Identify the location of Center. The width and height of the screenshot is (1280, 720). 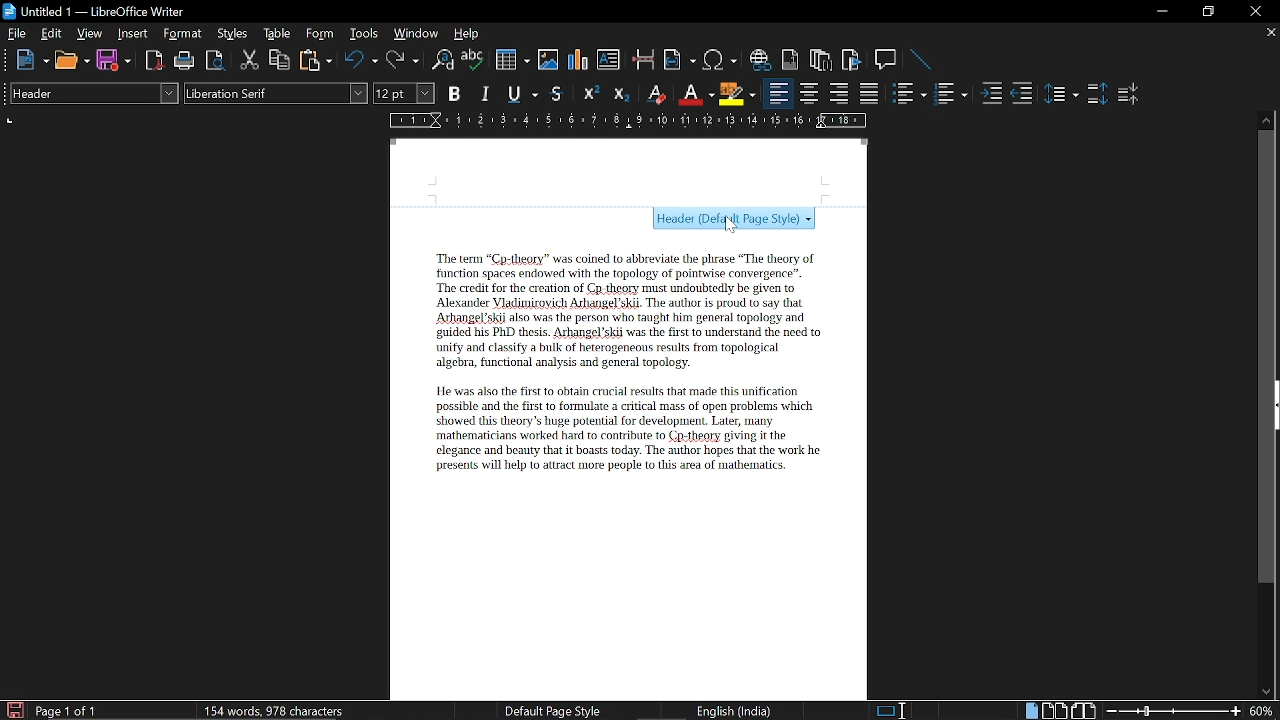
(808, 93).